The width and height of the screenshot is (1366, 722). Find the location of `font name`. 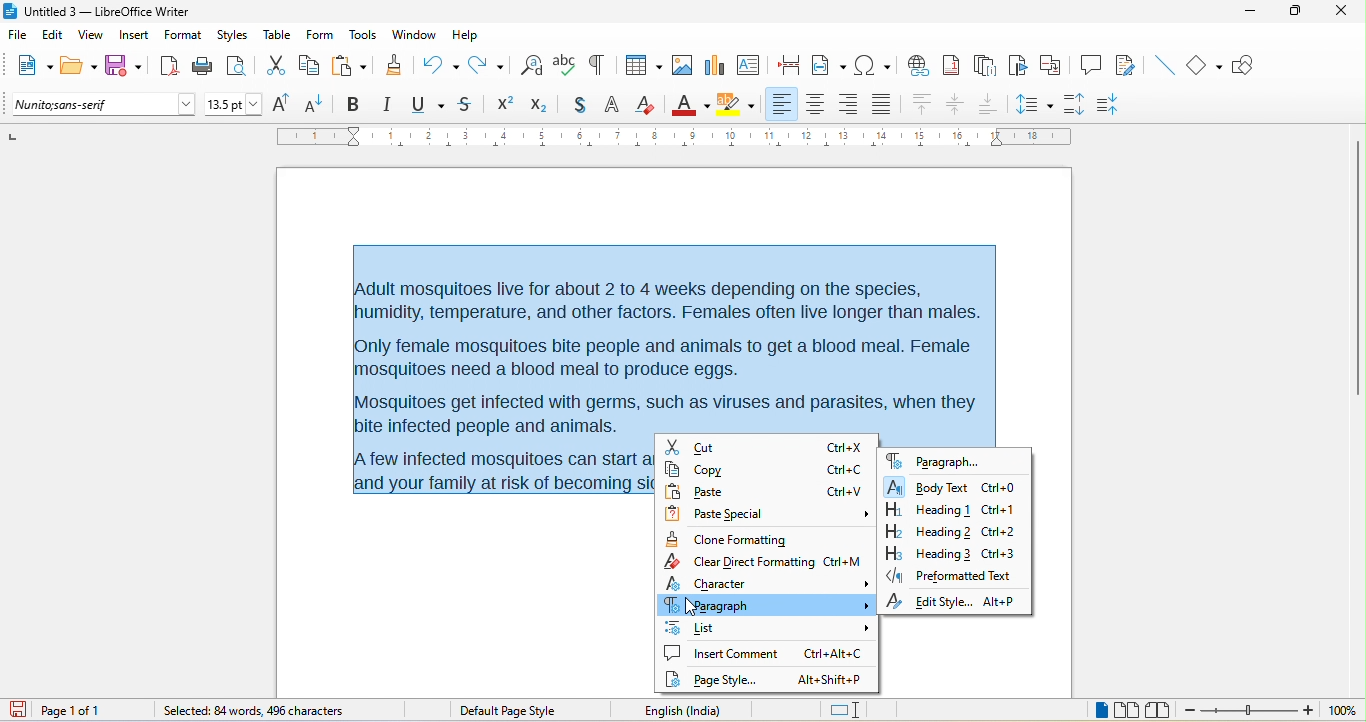

font name is located at coordinates (105, 105).